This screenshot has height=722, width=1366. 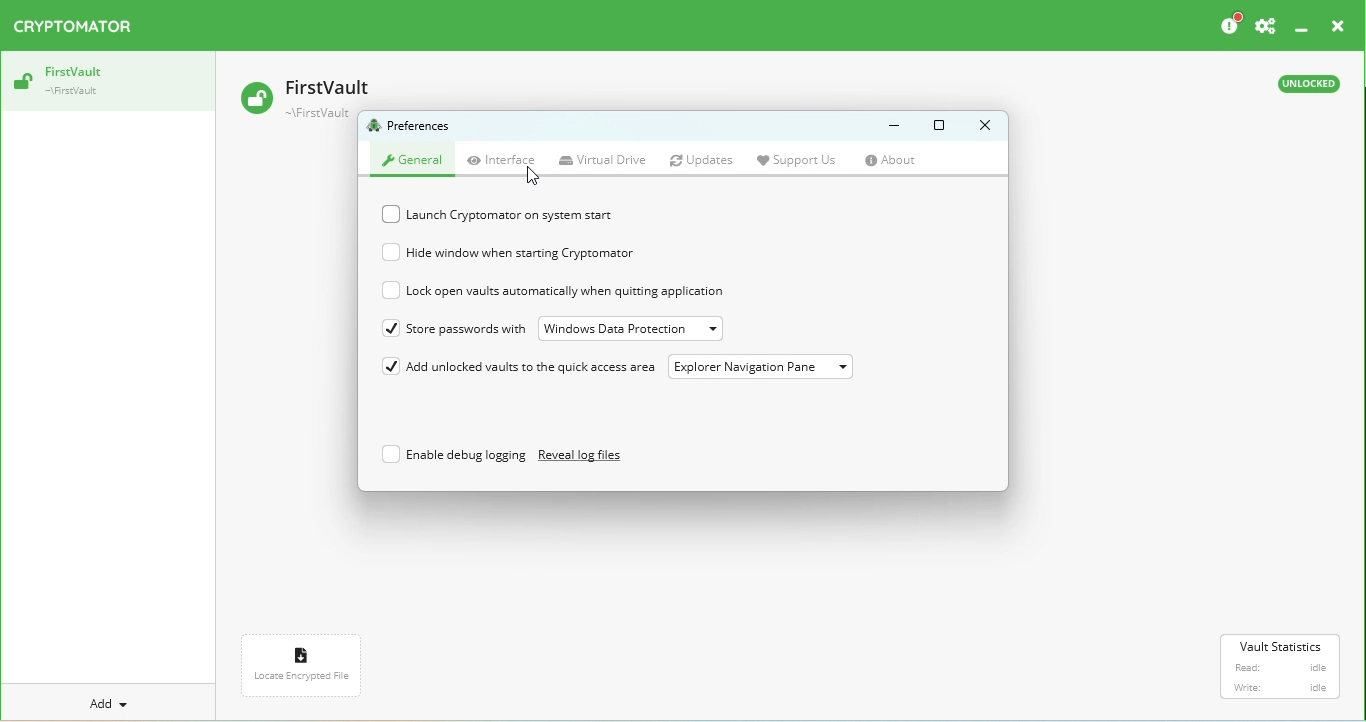 What do you see at coordinates (514, 254) in the screenshot?
I see `Hide window when starting cryptomator` at bounding box center [514, 254].